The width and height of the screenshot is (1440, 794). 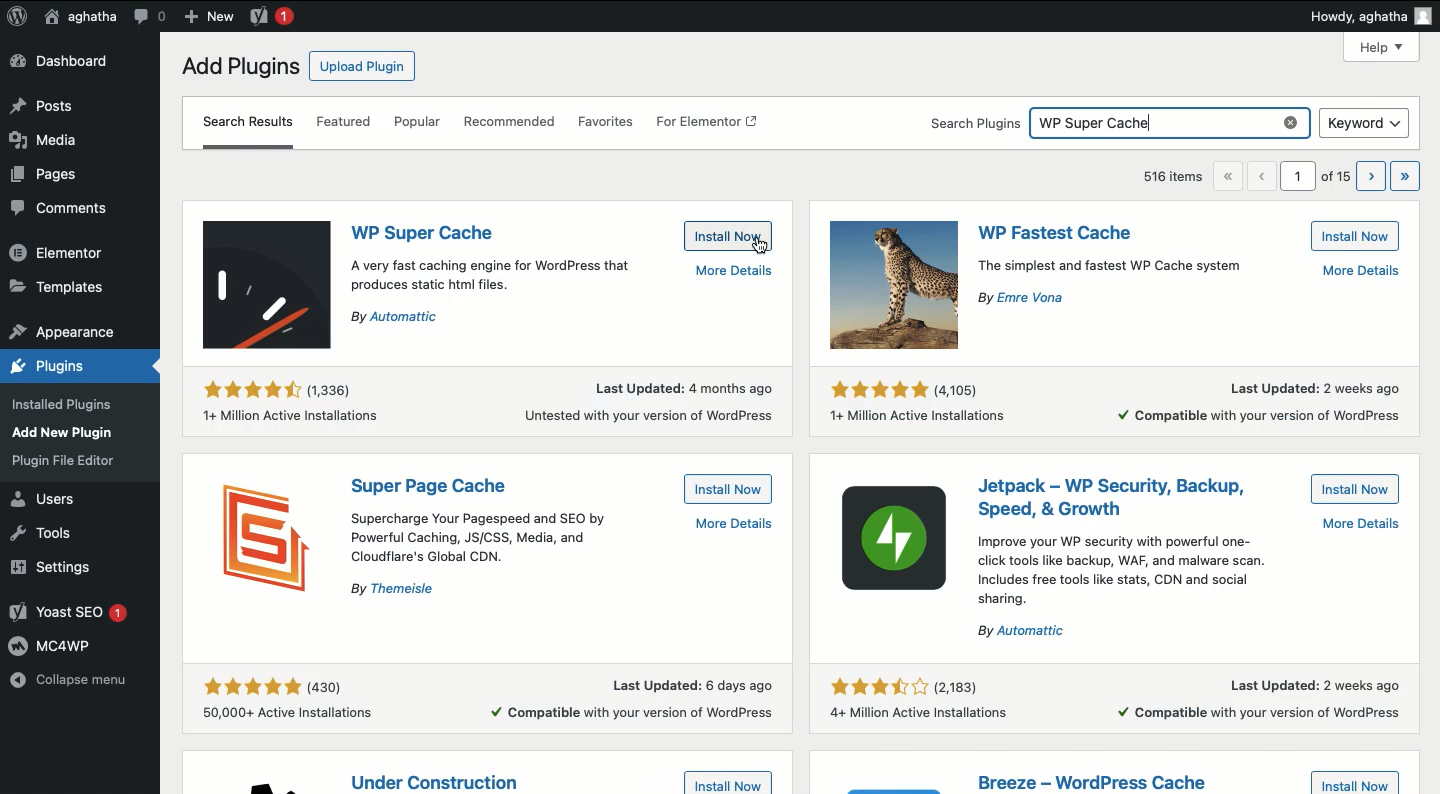 I want to click on next page, so click(x=1370, y=174).